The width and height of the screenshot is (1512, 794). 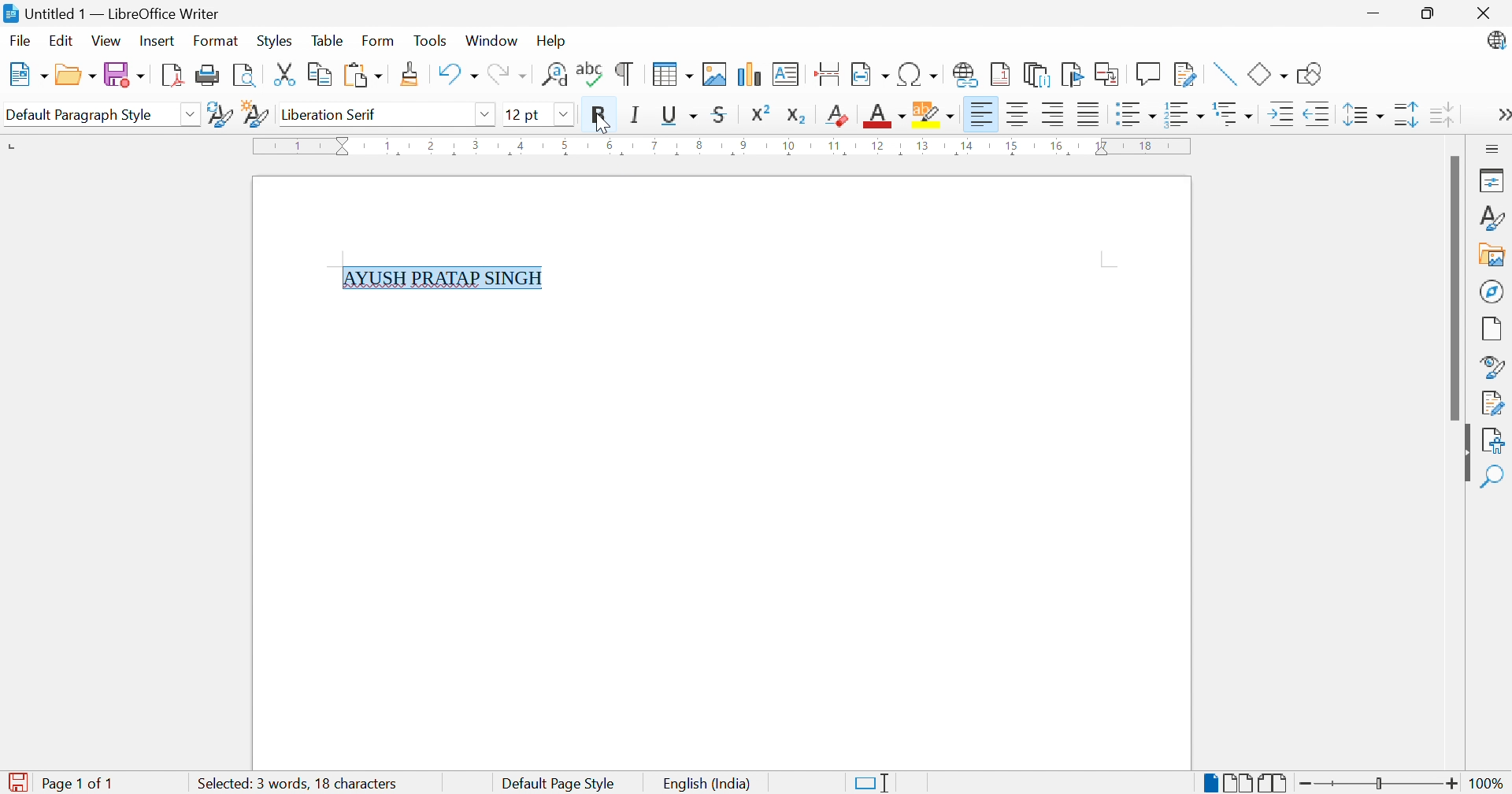 What do you see at coordinates (1306, 782) in the screenshot?
I see `Zoom Out` at bounding box center [1306, 782].